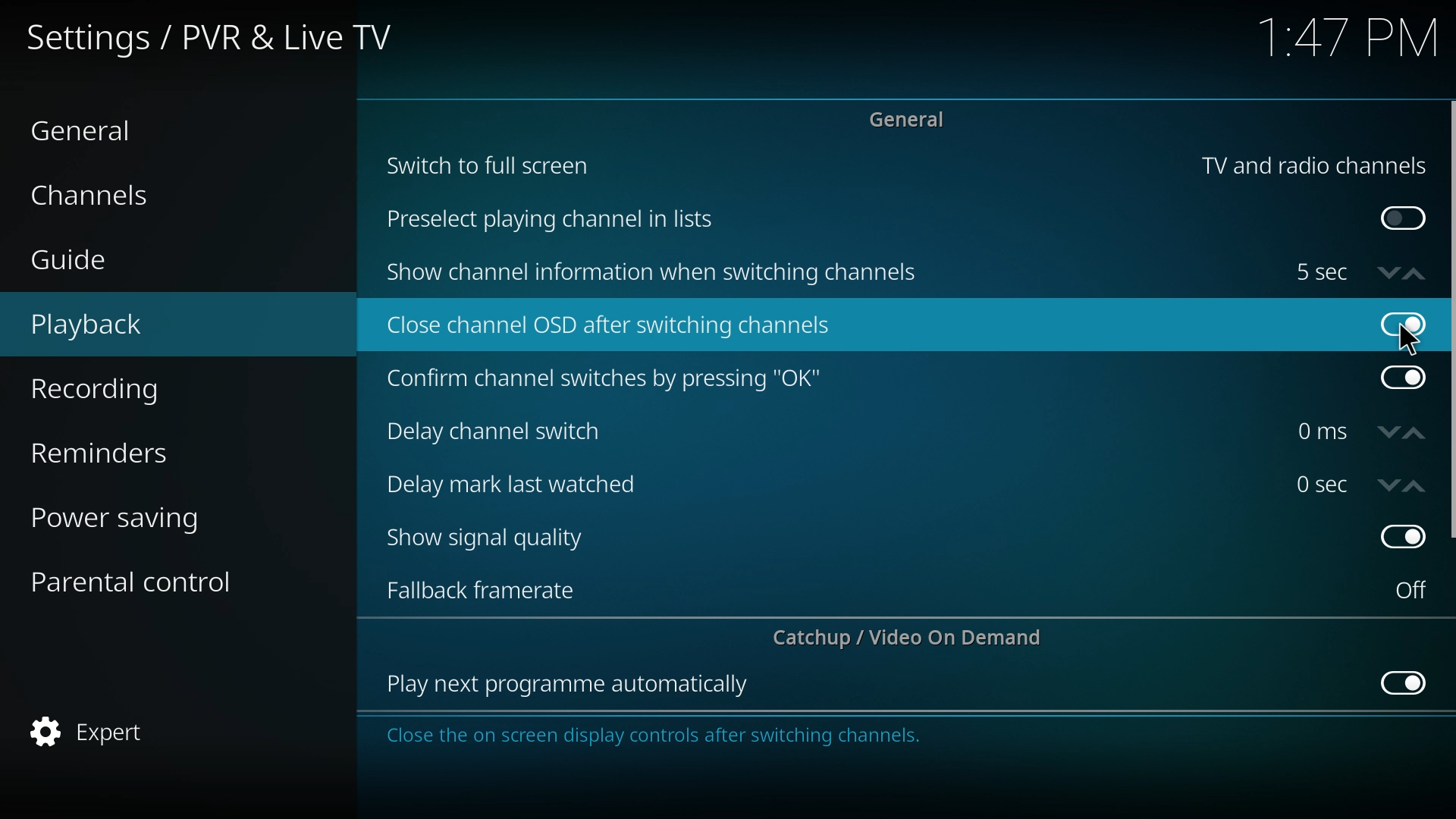 The height and width of the screenshot is (819, 1456). I want to click on switch to full screen, so click(490, 164).